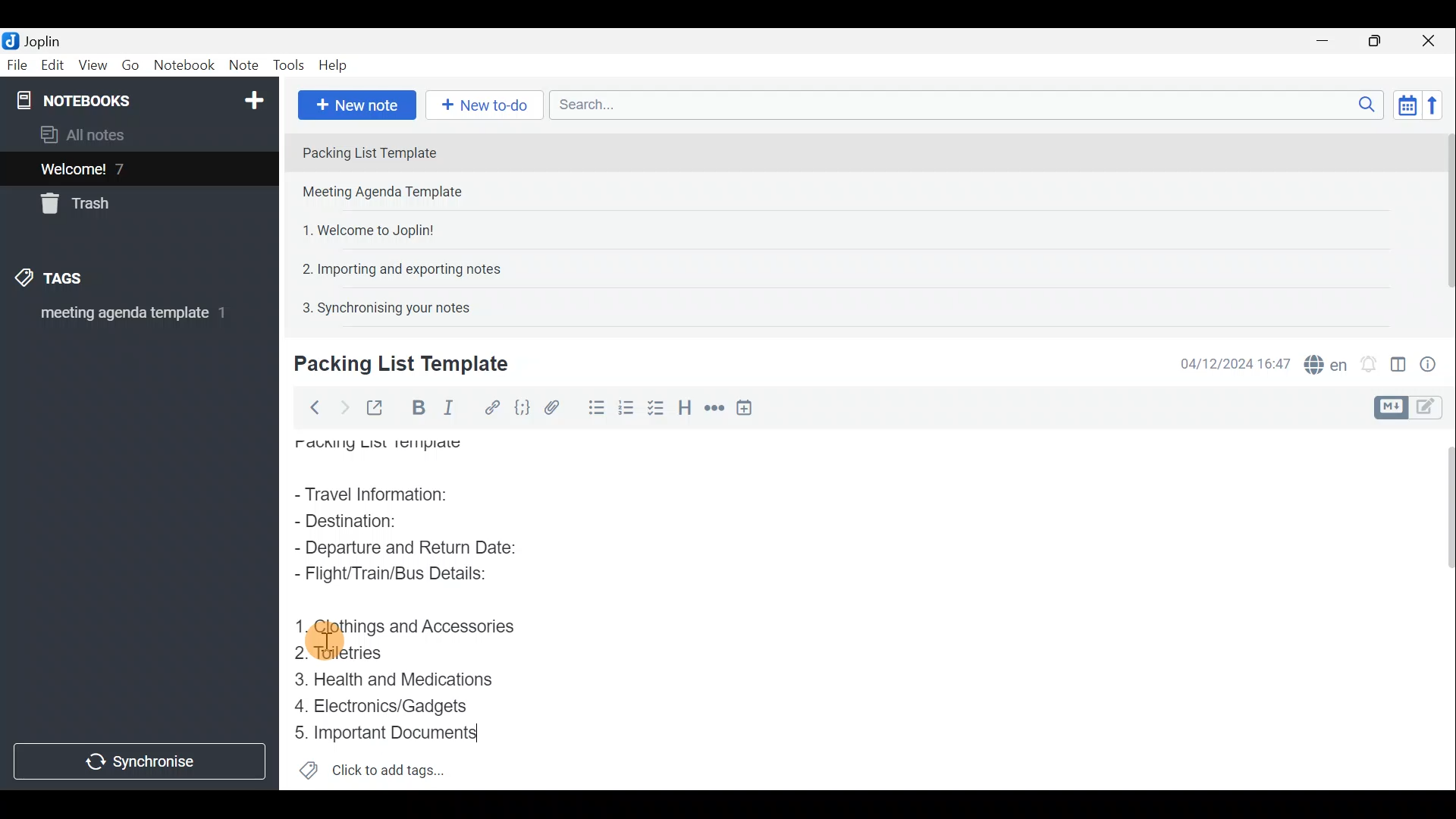 This screenshot has height=819, width=1456. What do you see at coordinates (552, 406) in the screenshot?
I see `Attach file` at bounding box center [552, 406].